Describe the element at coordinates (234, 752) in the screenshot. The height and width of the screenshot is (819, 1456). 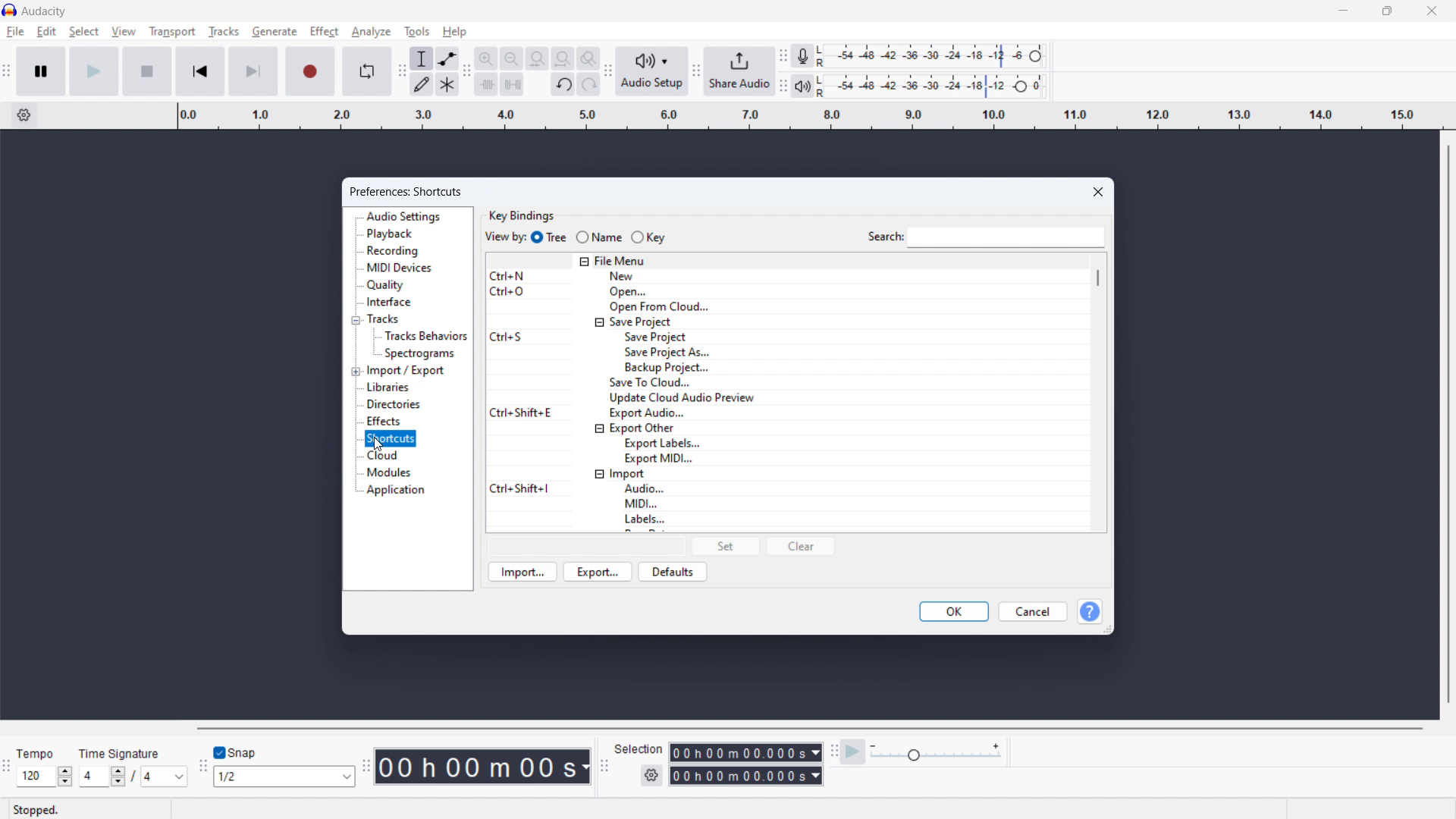
I see `toggle snap` at that location.